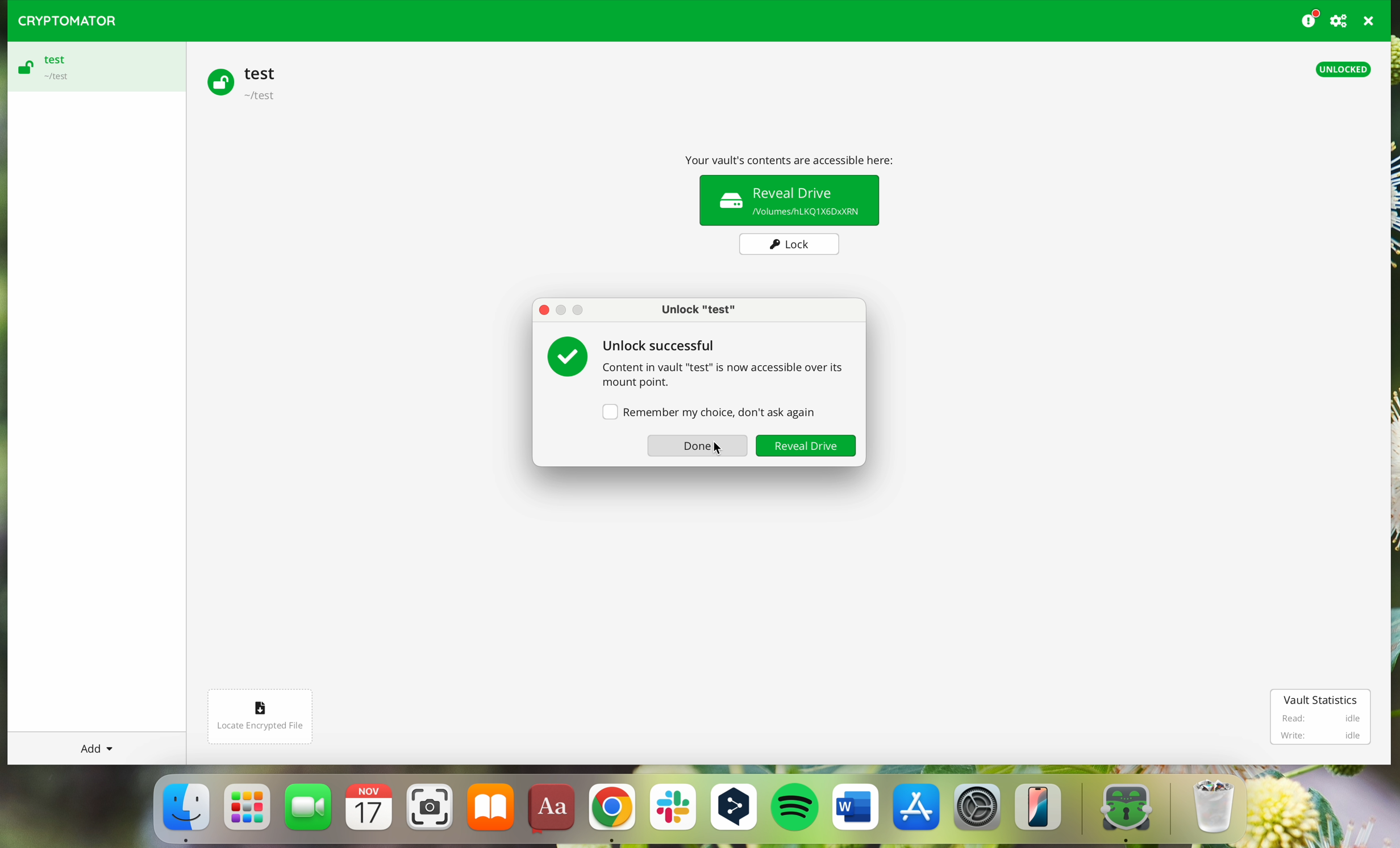  I want to click on CRYPTOMATOR LOGO, so click(62, 18).